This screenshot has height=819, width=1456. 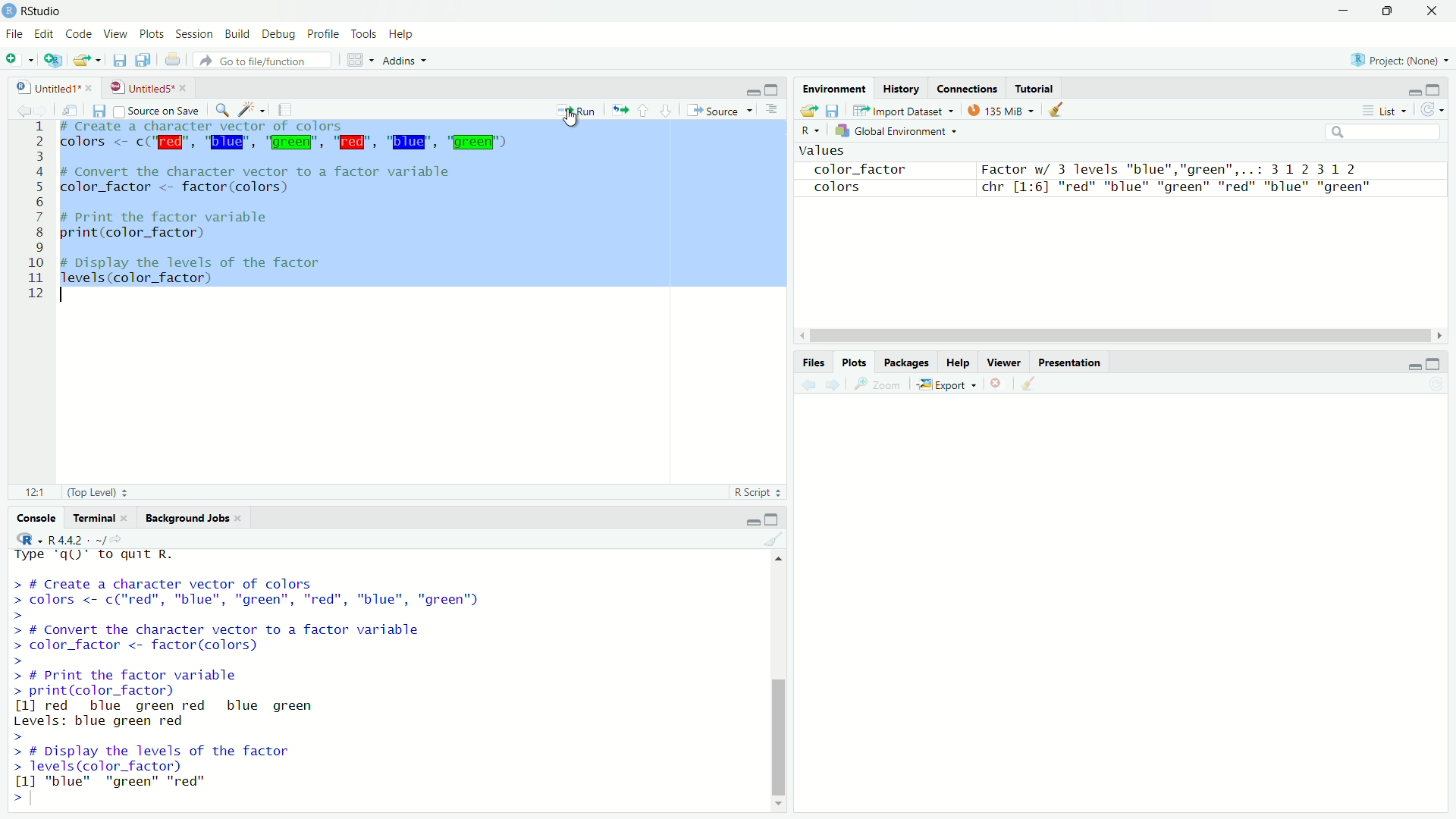 What do you see at coordinates (366, 32) in the screenshot?
I see `tools` at bounding box center [366, 32].